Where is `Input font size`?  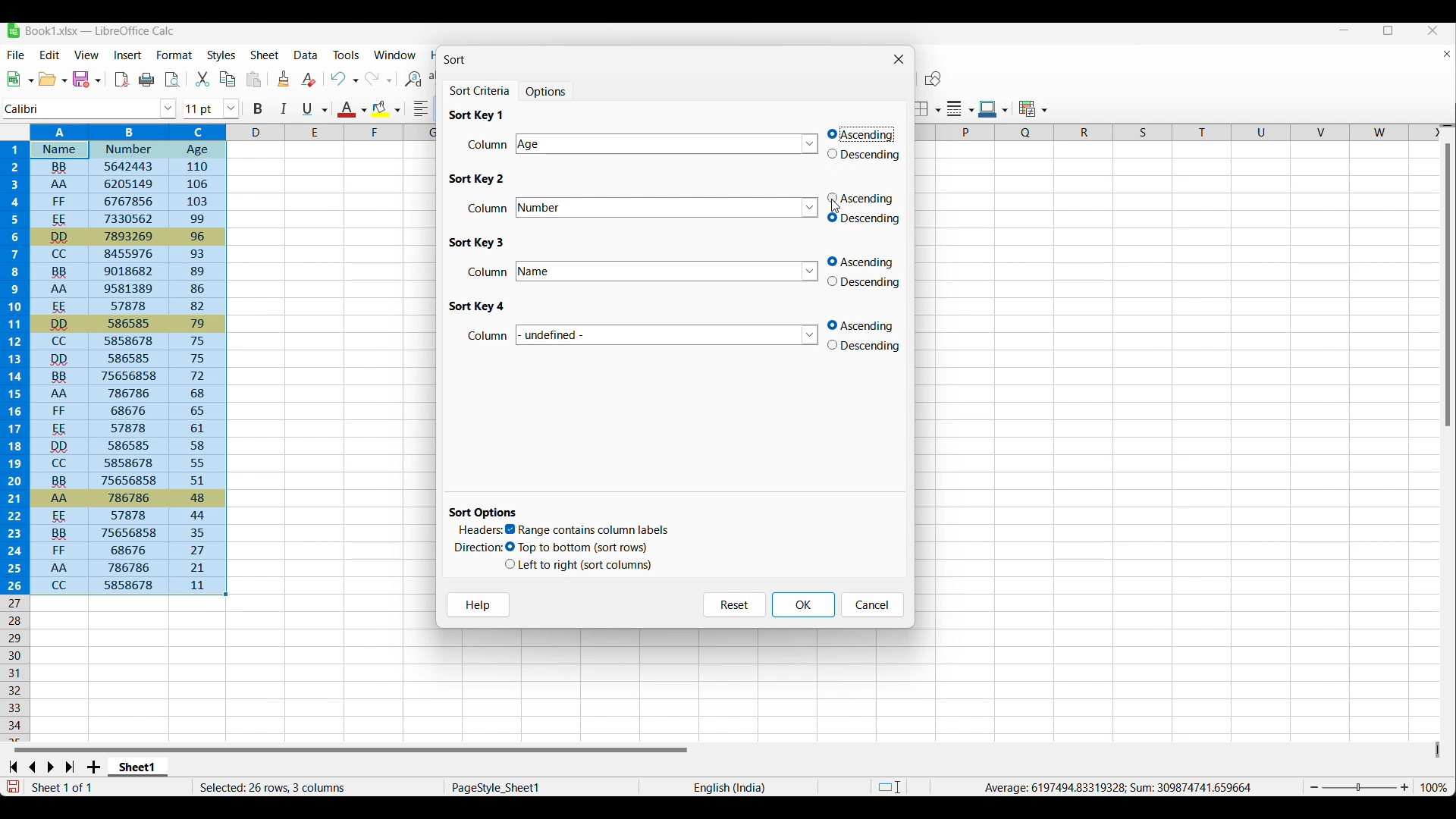 Input font size is located at coordinates (202, 108).